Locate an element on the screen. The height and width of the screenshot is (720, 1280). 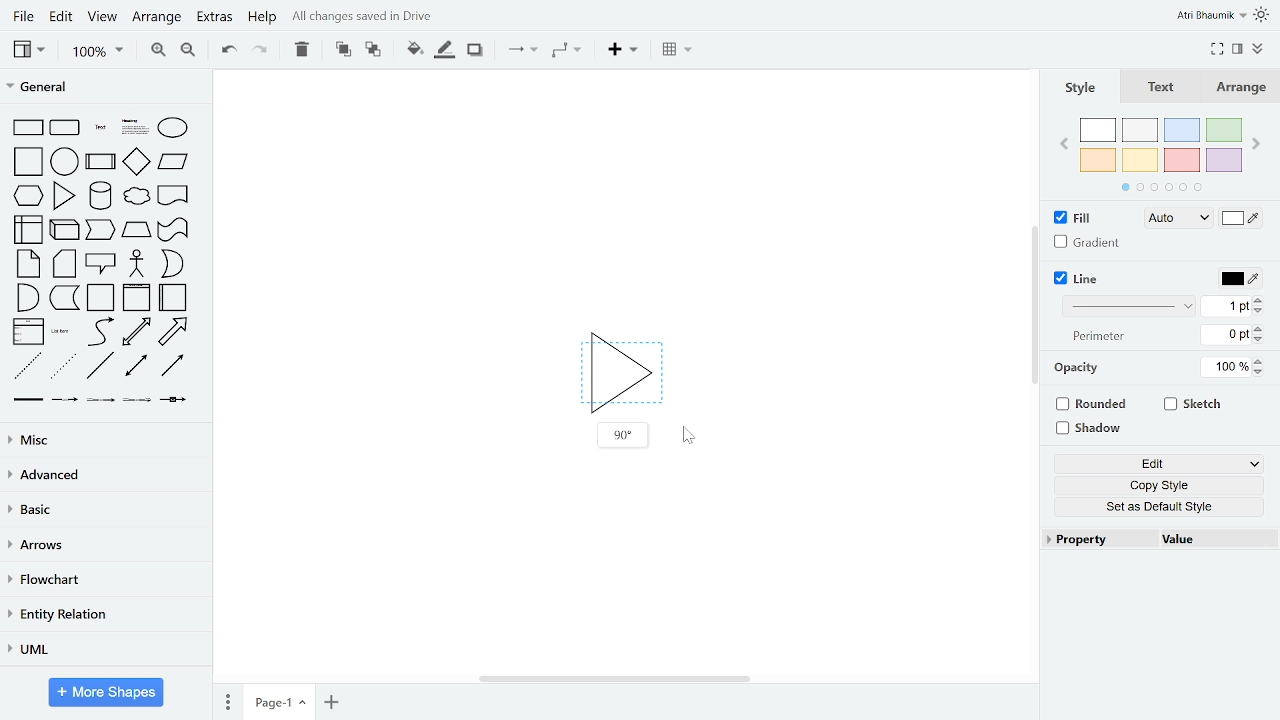
opacity is located at coordinates (1079, 368).